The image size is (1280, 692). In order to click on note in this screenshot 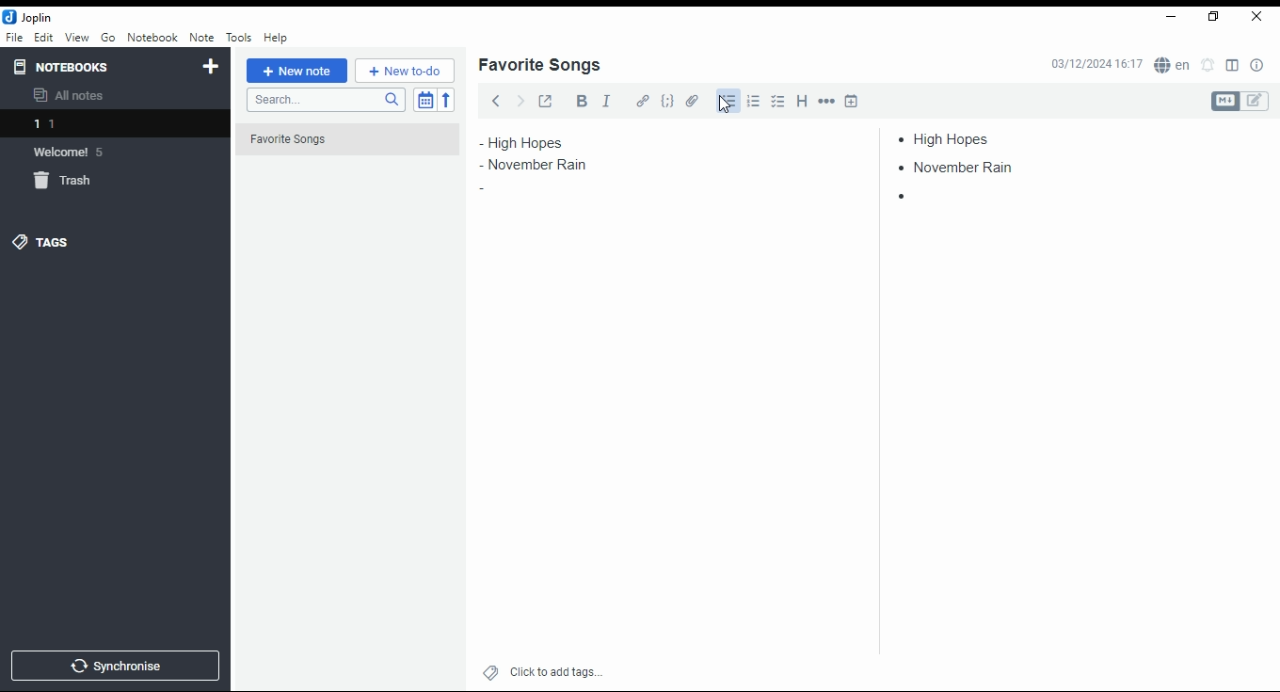, I will do `click(201, 37)`.